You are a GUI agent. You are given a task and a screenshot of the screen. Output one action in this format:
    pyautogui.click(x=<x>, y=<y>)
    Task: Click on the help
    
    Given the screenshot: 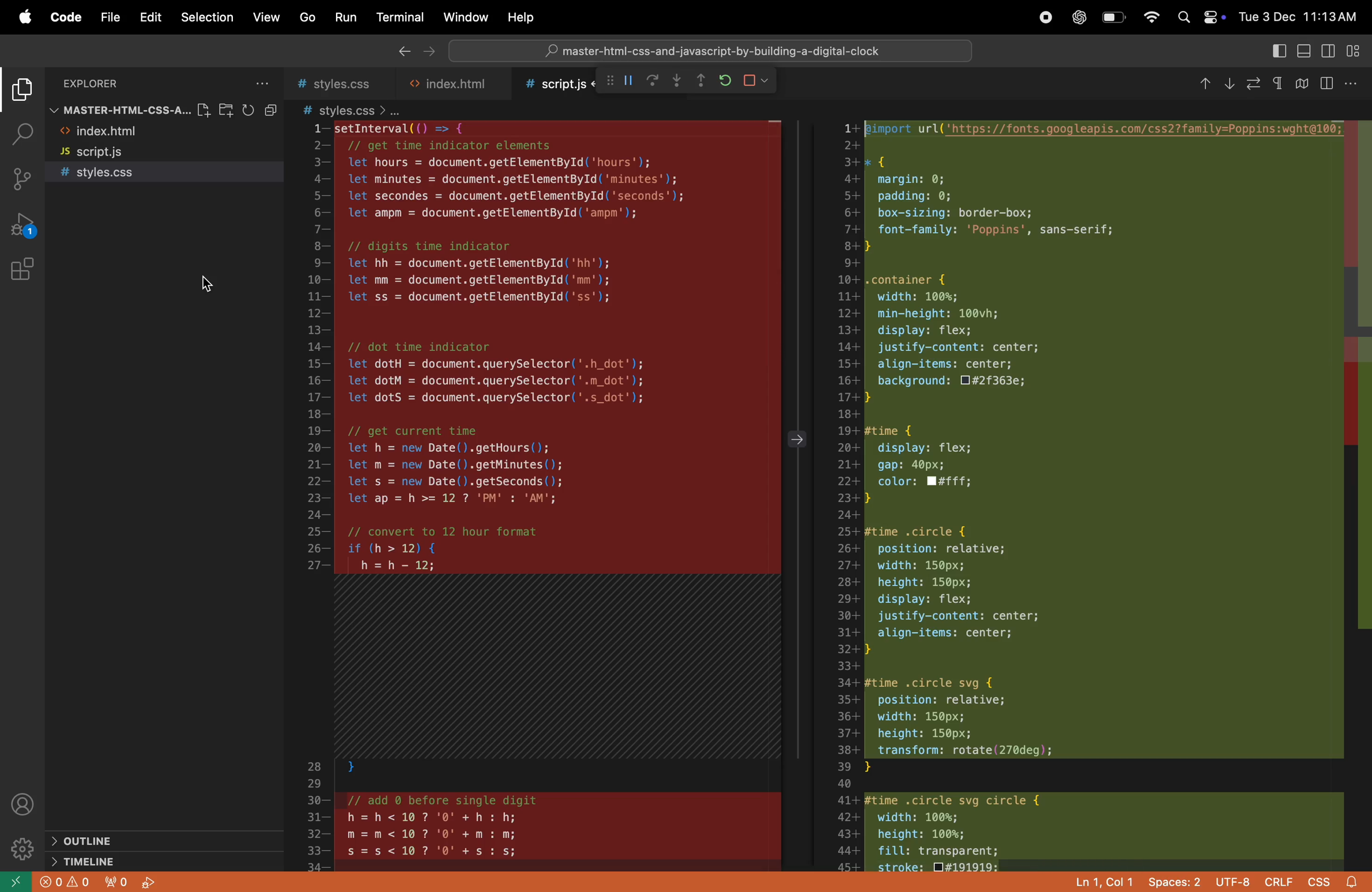 What is the action you would take?
    pyautogui.click(x=520, y=16)
    